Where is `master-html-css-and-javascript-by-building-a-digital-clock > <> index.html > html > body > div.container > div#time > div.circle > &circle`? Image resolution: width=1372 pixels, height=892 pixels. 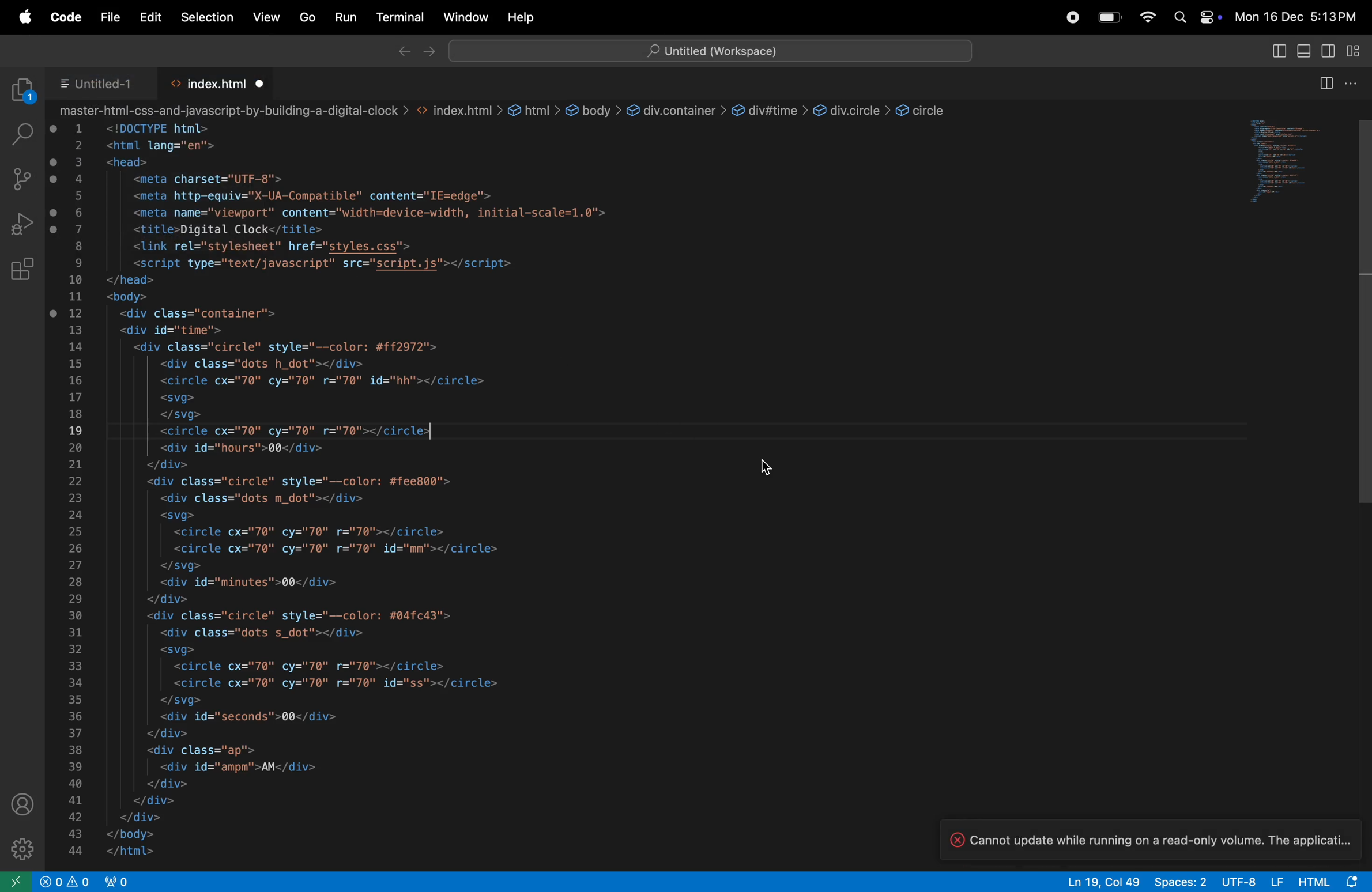 master-html-css-and-javascript-by-building-a-digital-clock > <> index.html > html > body > div.container > div#time > div.circle > &circle is located at coordinates (510, 109).